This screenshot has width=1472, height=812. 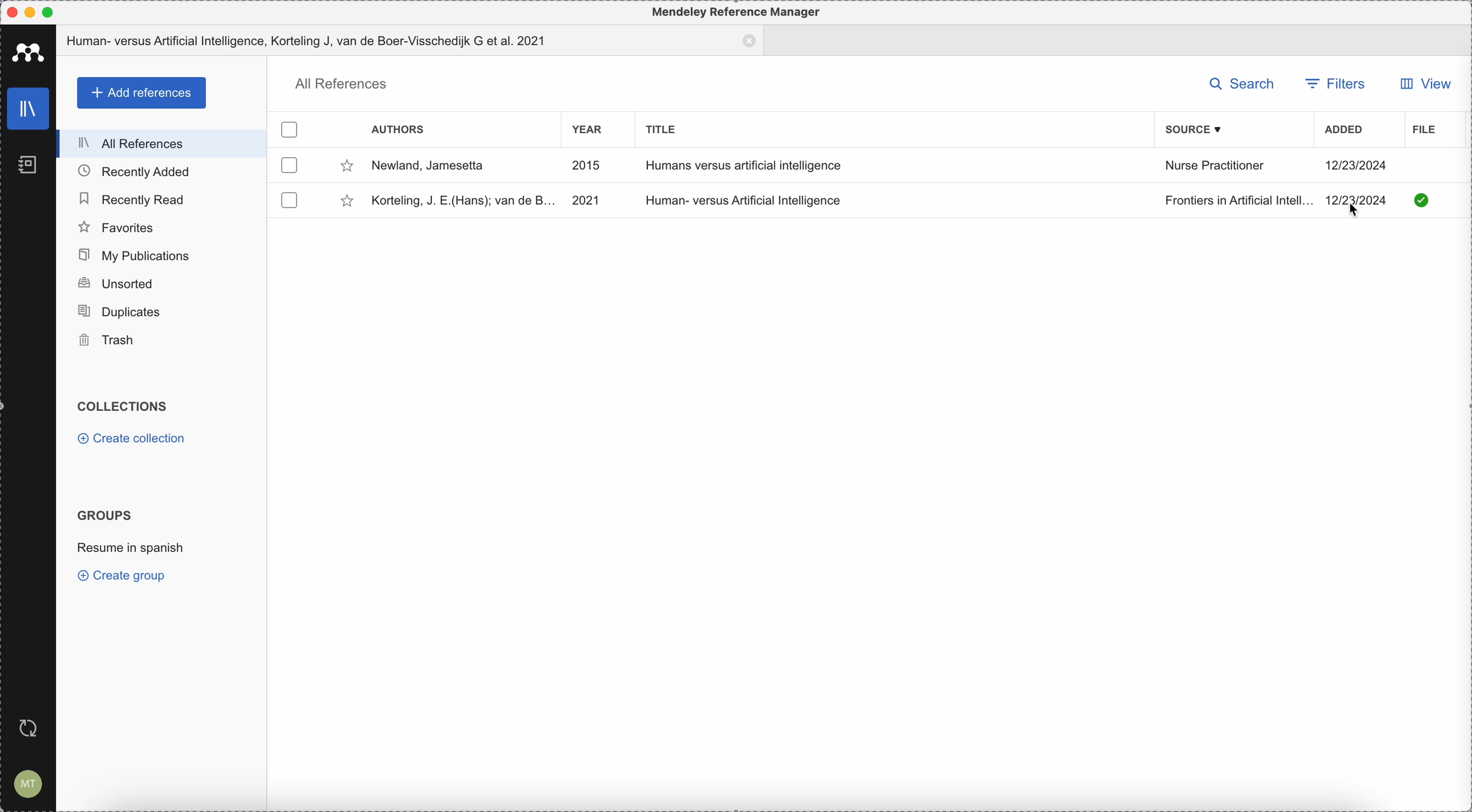 I want to click on groups, so click(x=105, y=515).